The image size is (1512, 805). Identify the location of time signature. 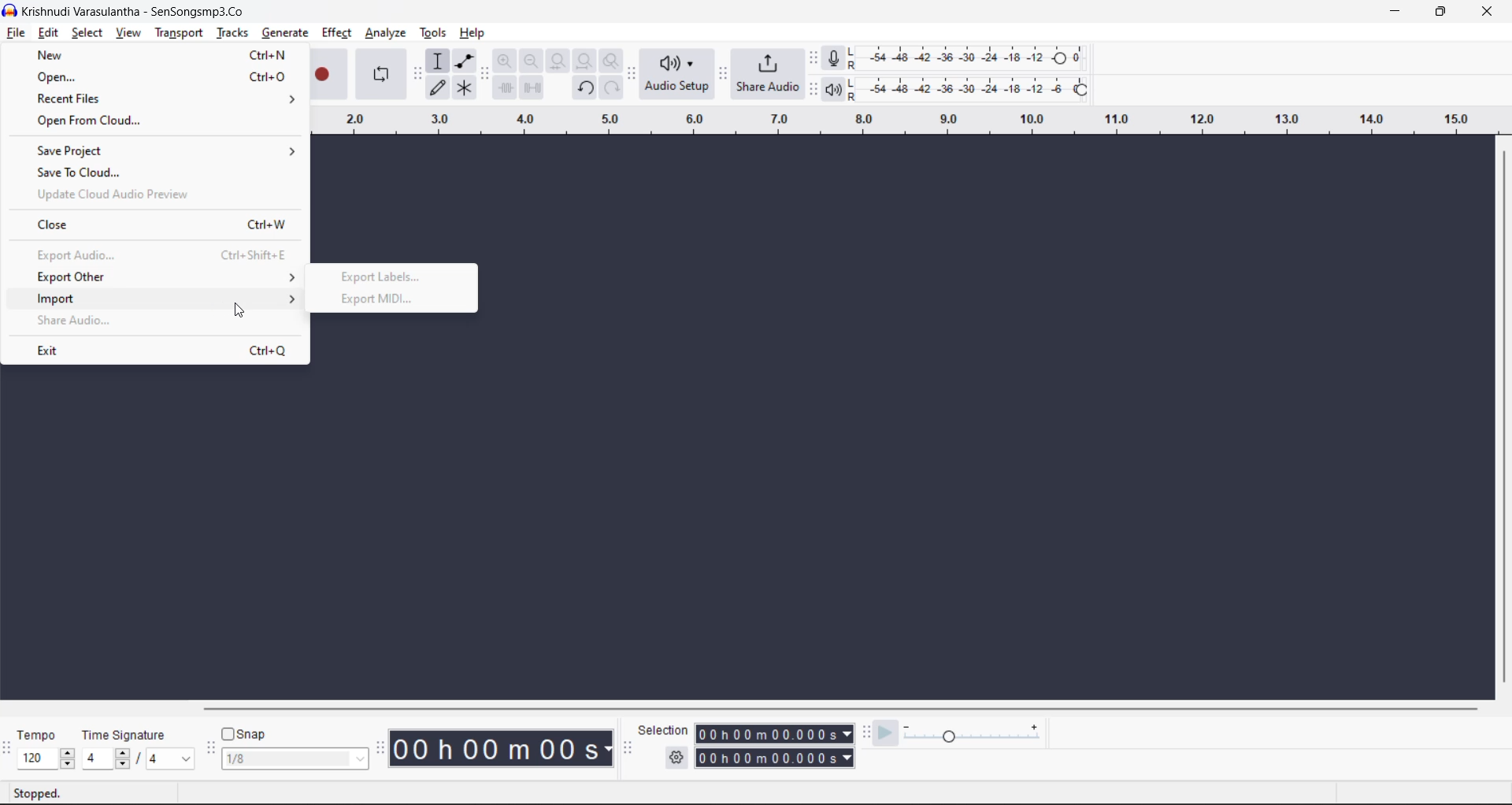
(129, 736).